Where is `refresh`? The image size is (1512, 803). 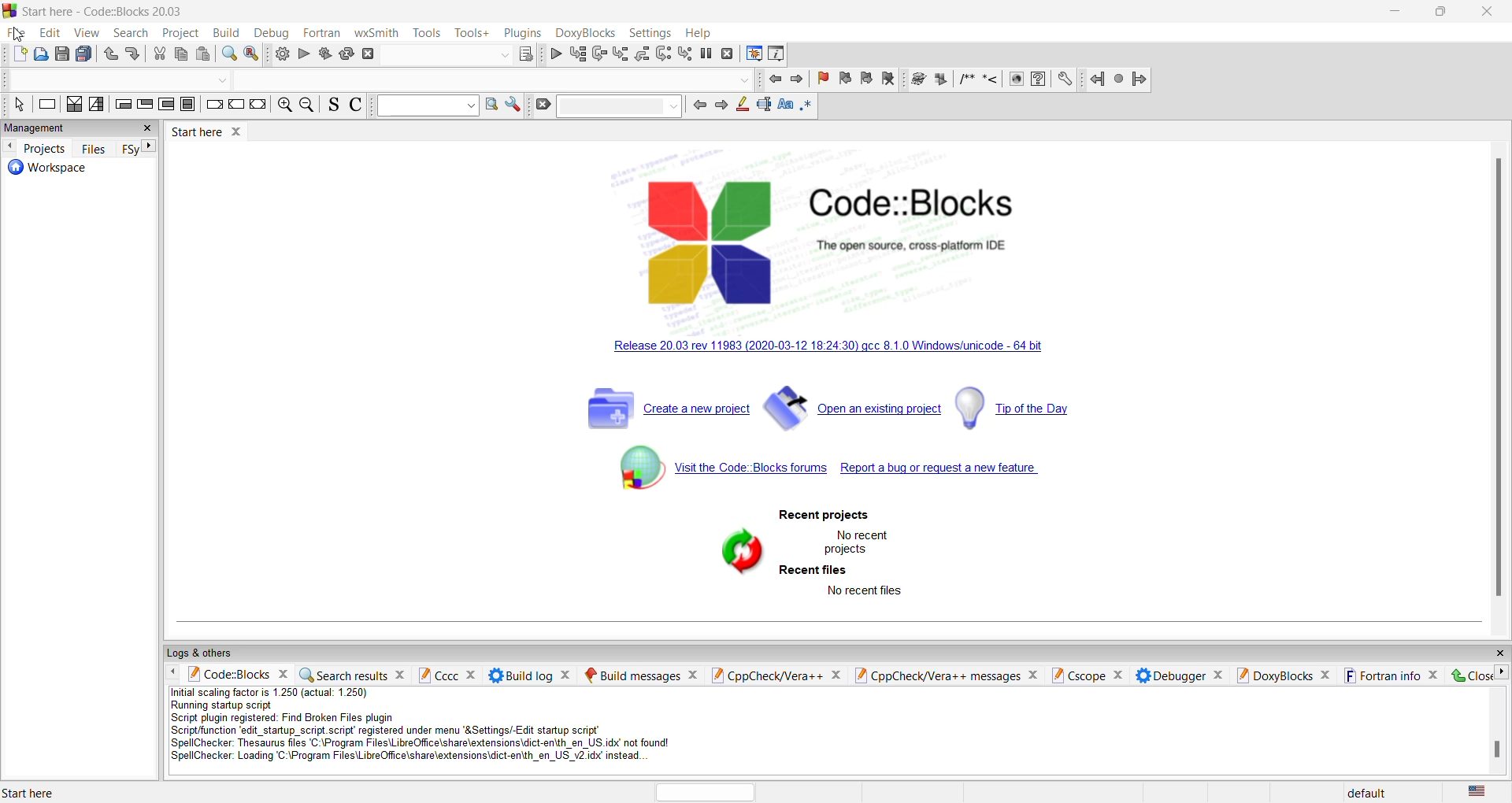 refresh is located at coordinates (738, 554).